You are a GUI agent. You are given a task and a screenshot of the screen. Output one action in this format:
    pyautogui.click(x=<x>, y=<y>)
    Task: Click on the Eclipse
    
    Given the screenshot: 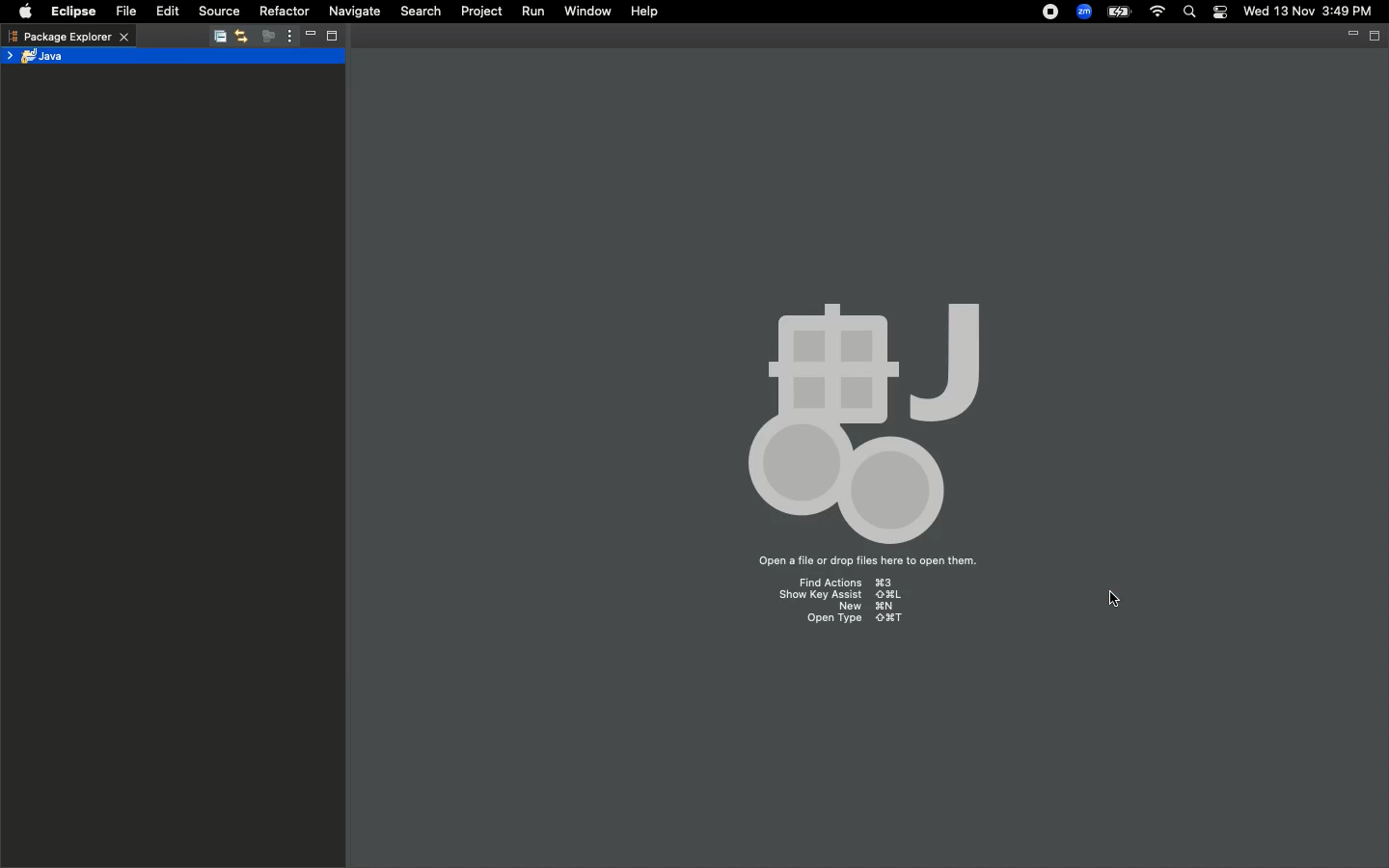 What is the action you would take?
    pyautogui.click(x=69, y=12)
    